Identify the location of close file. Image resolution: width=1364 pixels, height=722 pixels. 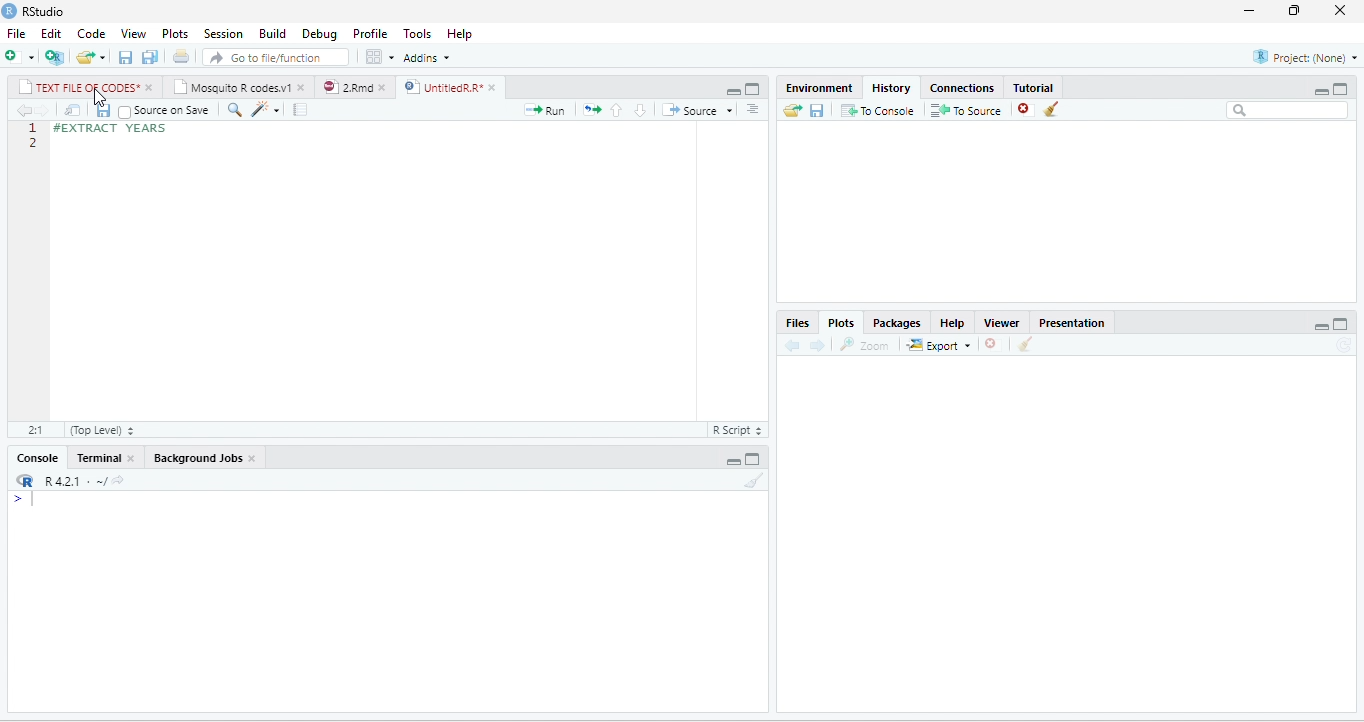
(1026, 109).